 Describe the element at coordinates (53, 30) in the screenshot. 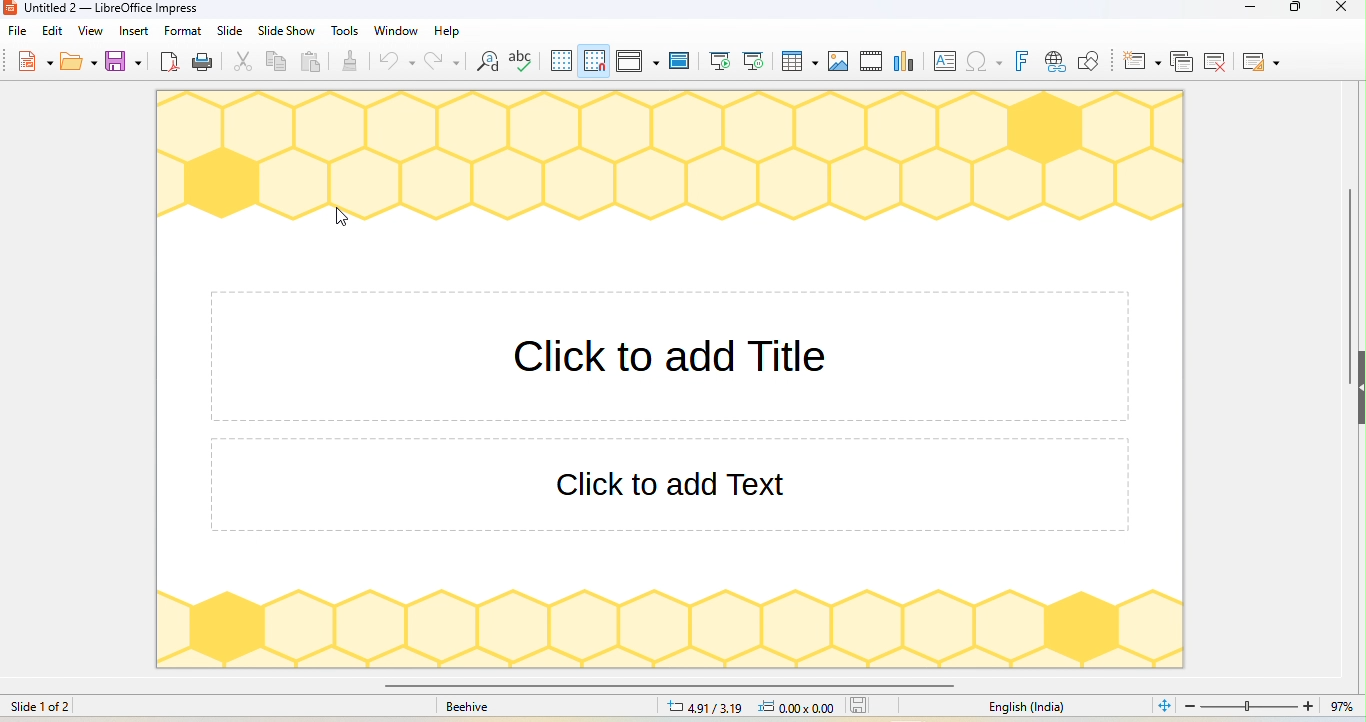

I see `edit` at that location.